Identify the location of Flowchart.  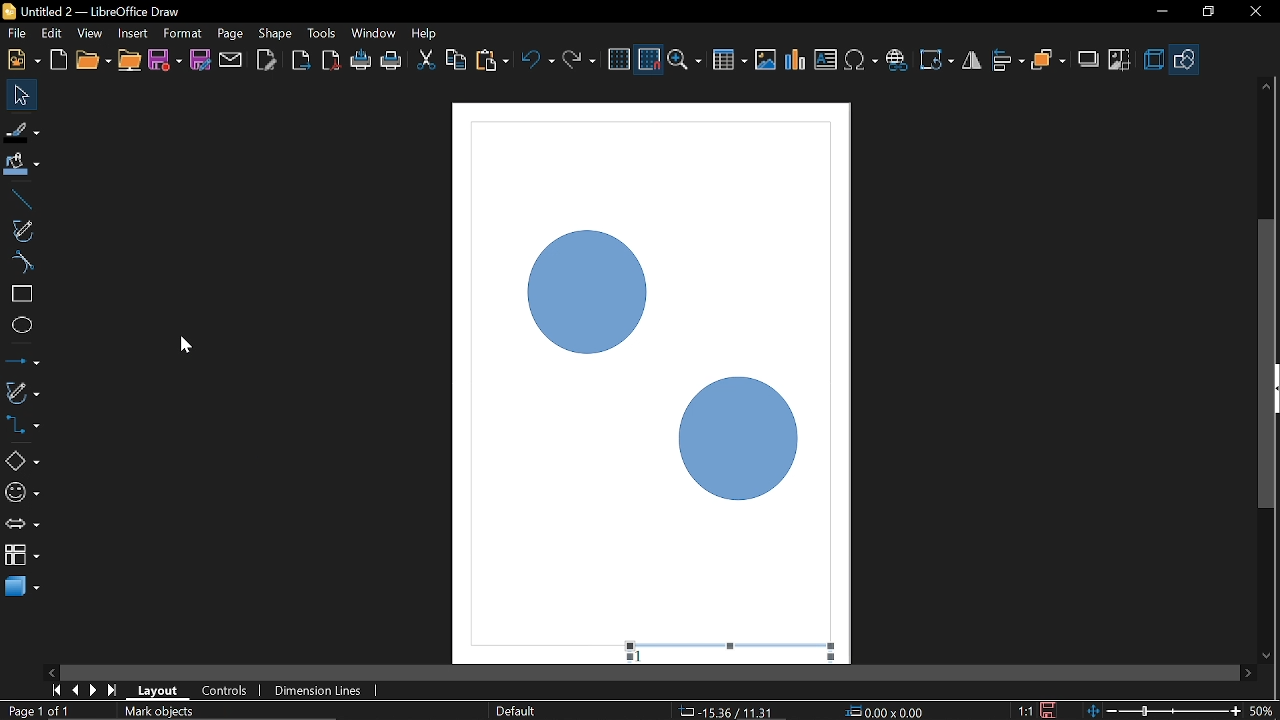
(22, 552).